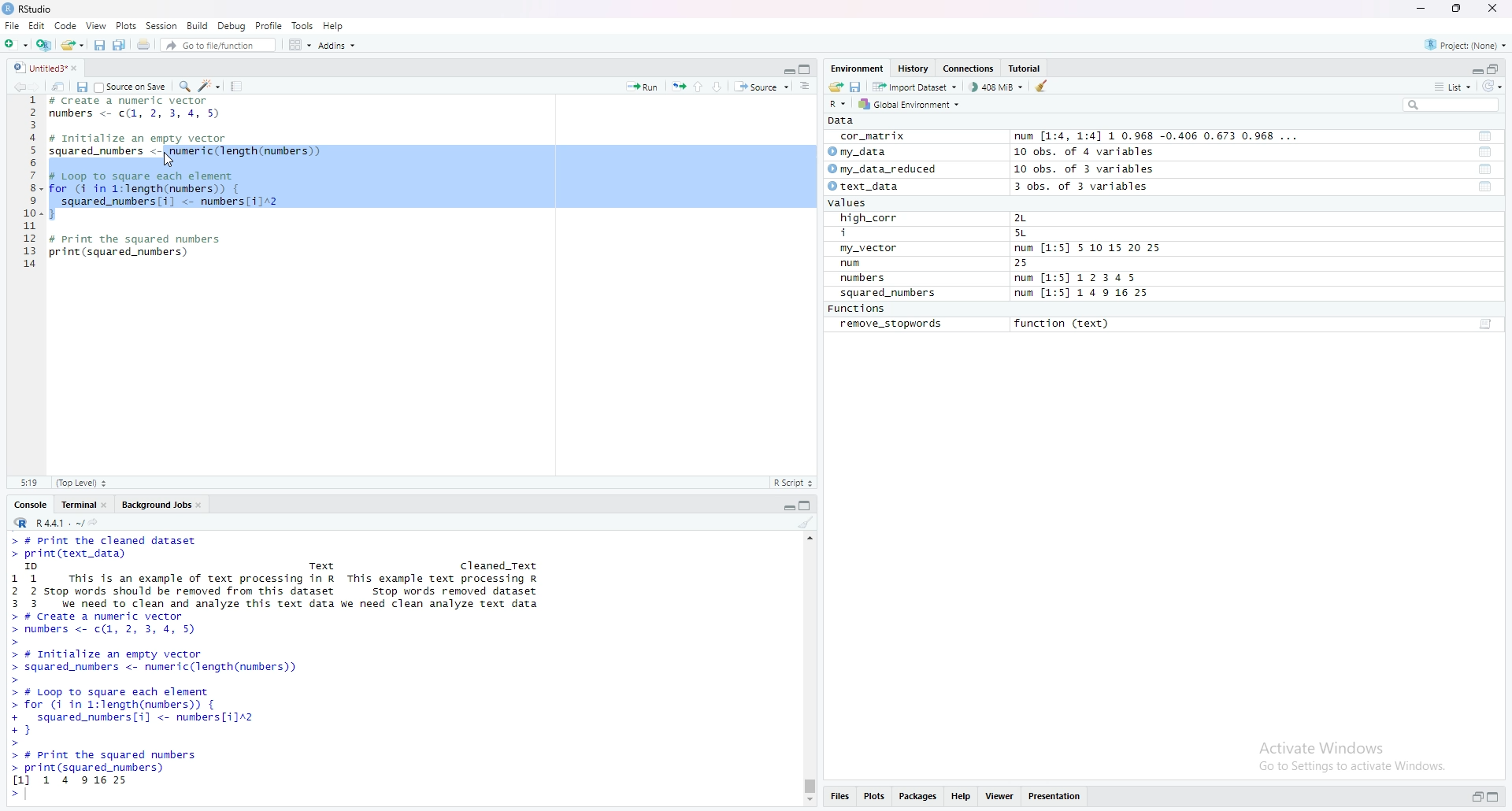  Describe the element at coordinates (72, 43) in the screenshot. I see `Open an existing file` at that location.